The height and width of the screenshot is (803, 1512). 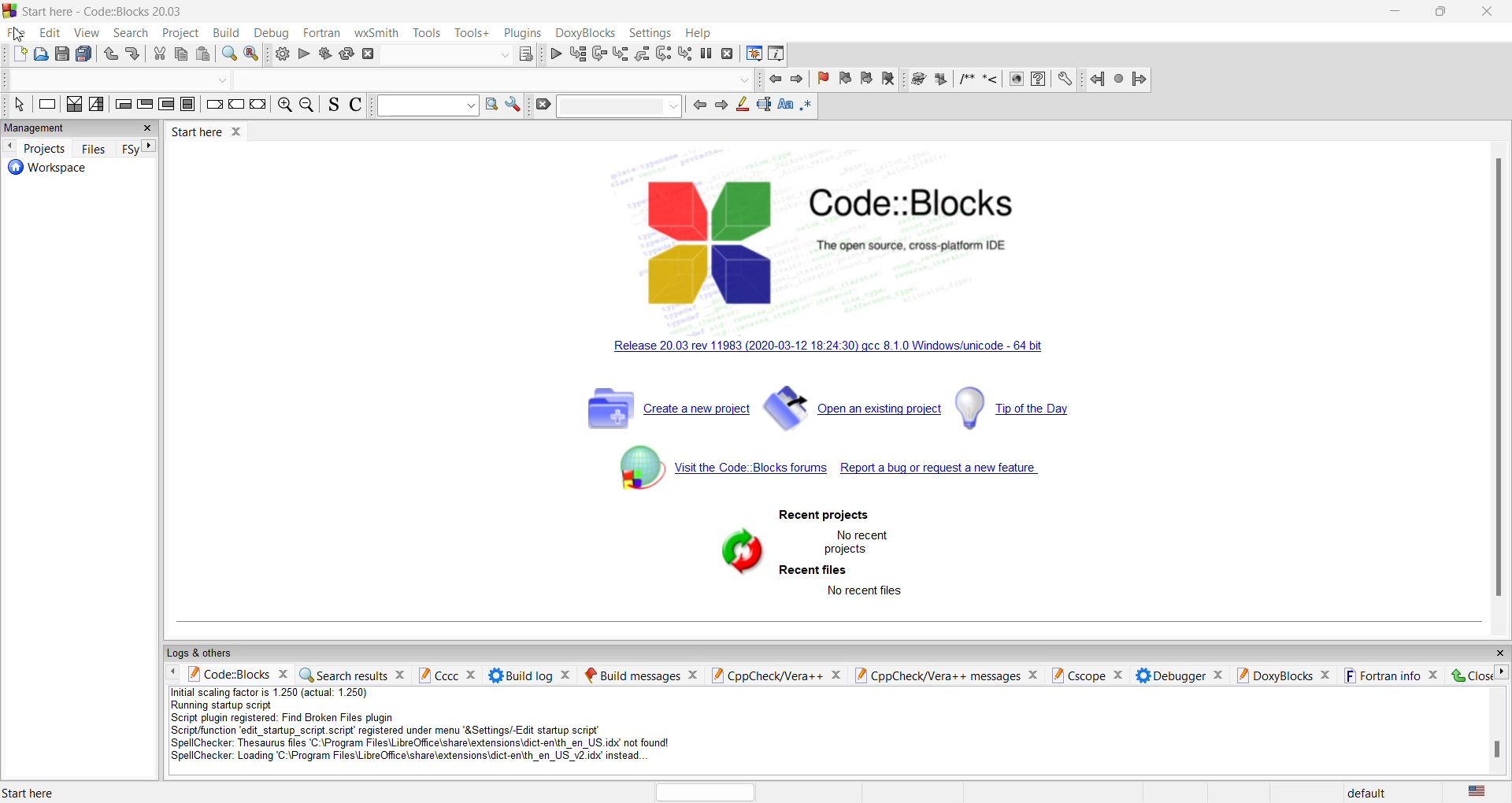 I want to click on close, so click(x=1490, y=13).